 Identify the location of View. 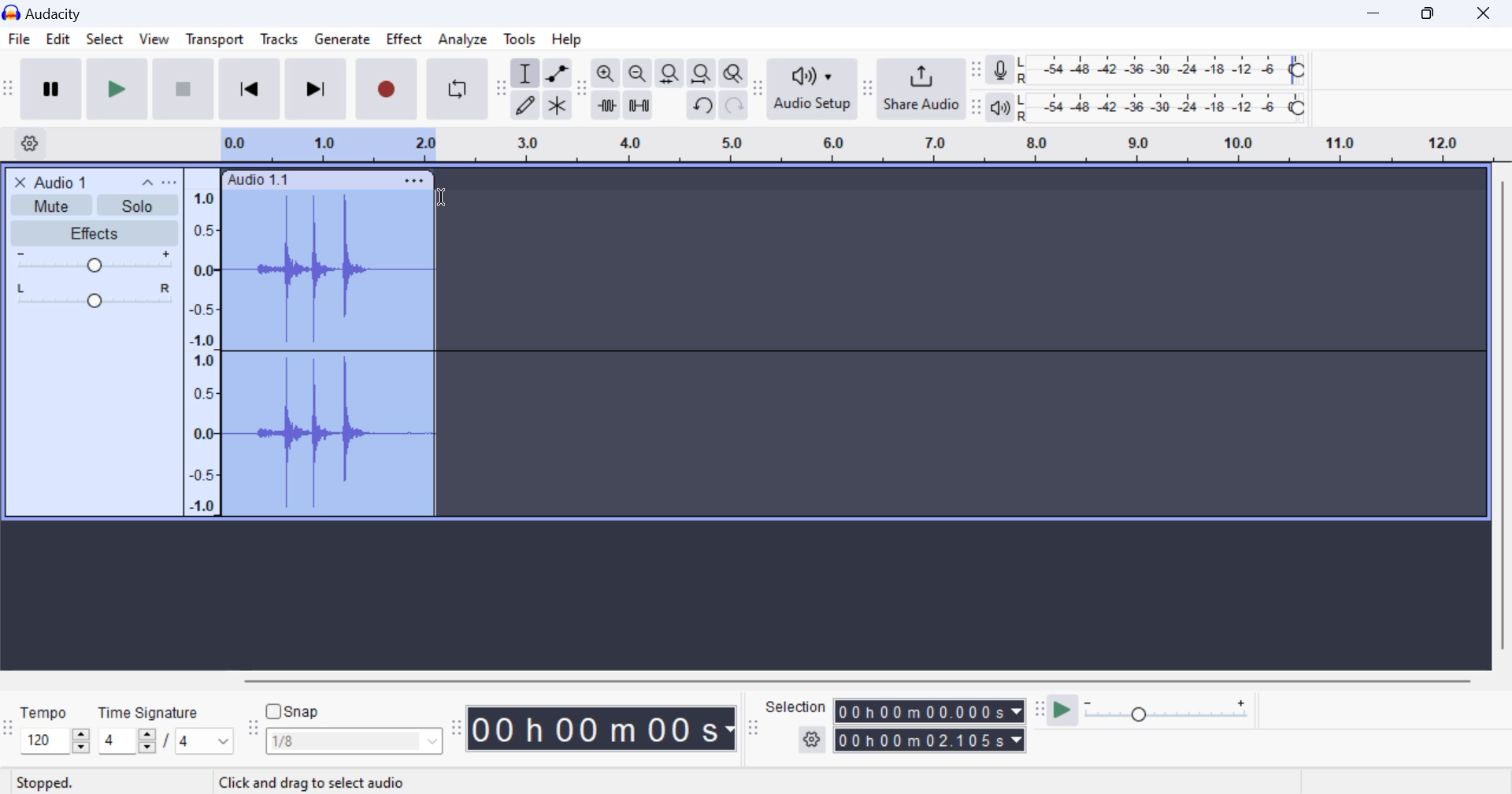
(153, 43).